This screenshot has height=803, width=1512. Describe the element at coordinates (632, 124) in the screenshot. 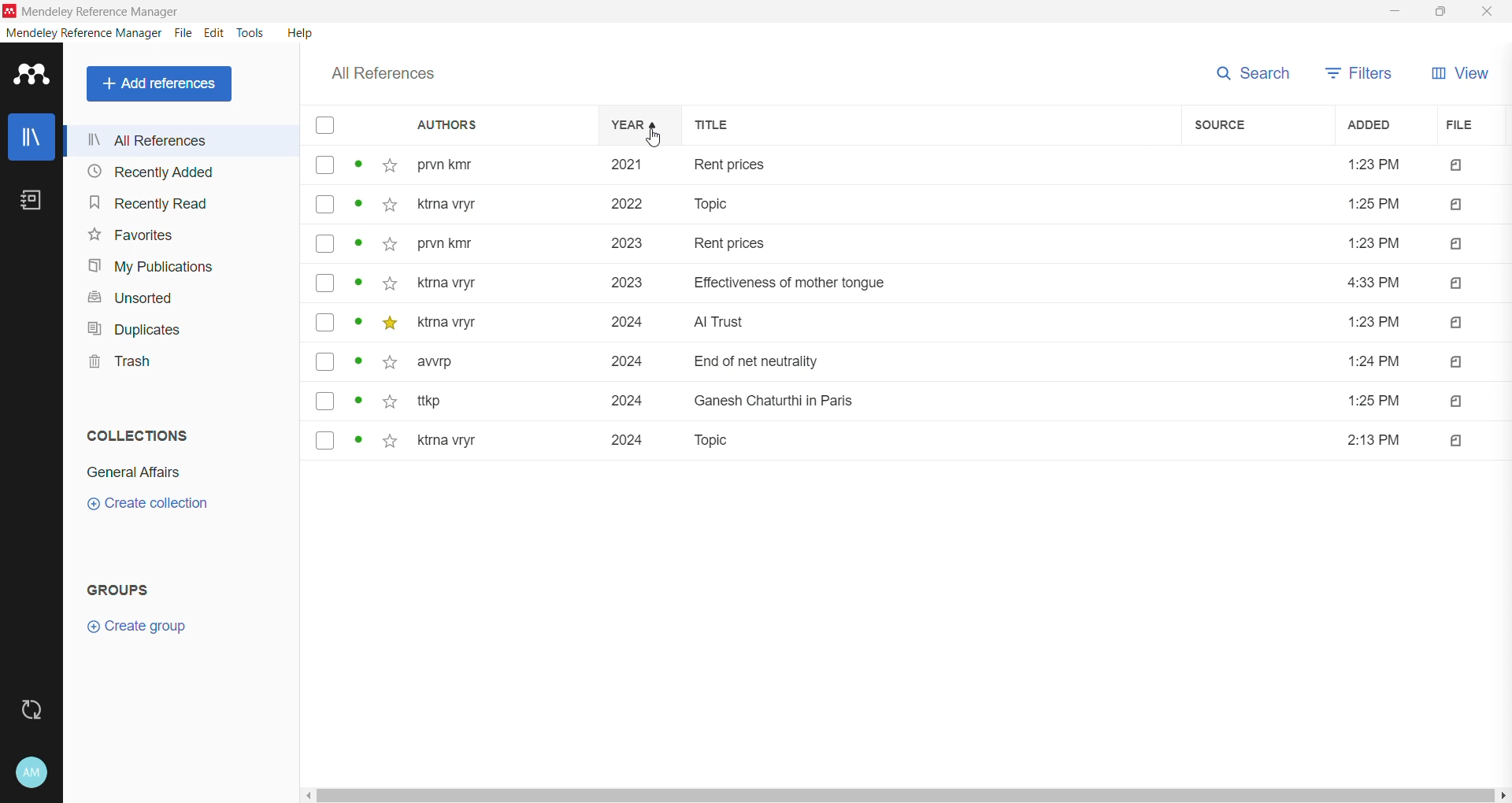

I see `year` at that location.